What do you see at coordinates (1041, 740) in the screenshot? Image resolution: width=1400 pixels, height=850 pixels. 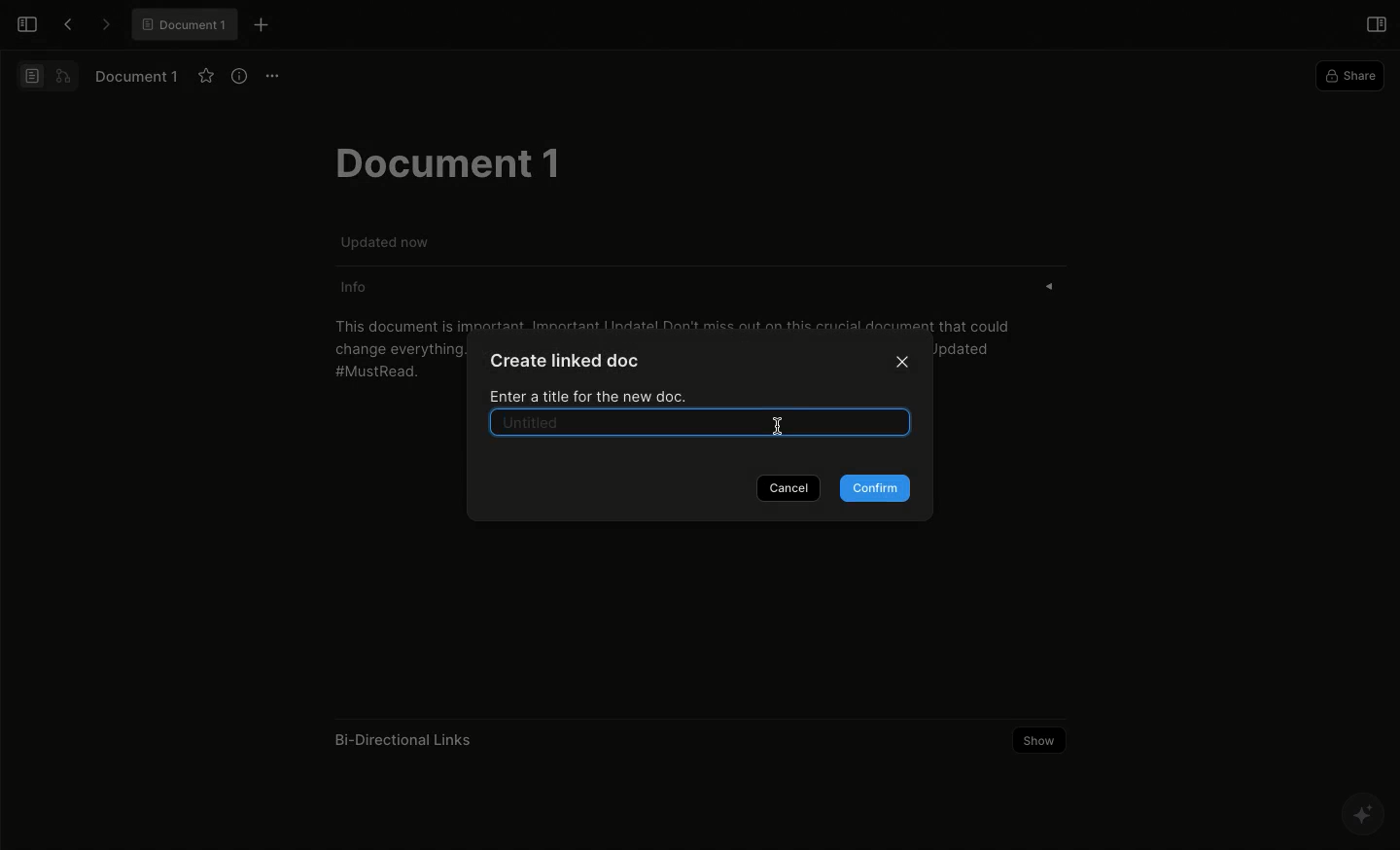 I see `Show` at bounding box center [1041, 740].